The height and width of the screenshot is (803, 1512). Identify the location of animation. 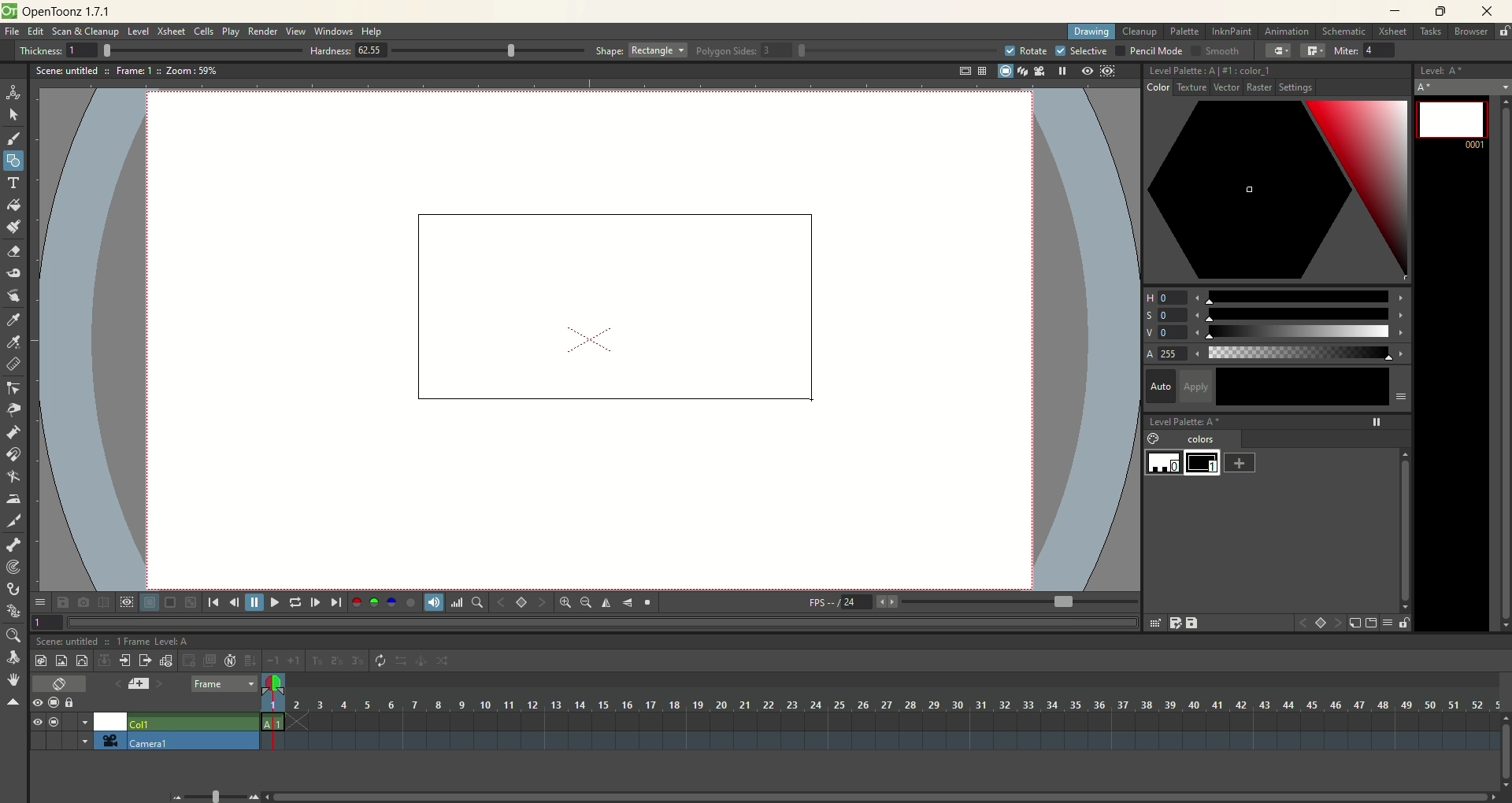
(1290, 32).